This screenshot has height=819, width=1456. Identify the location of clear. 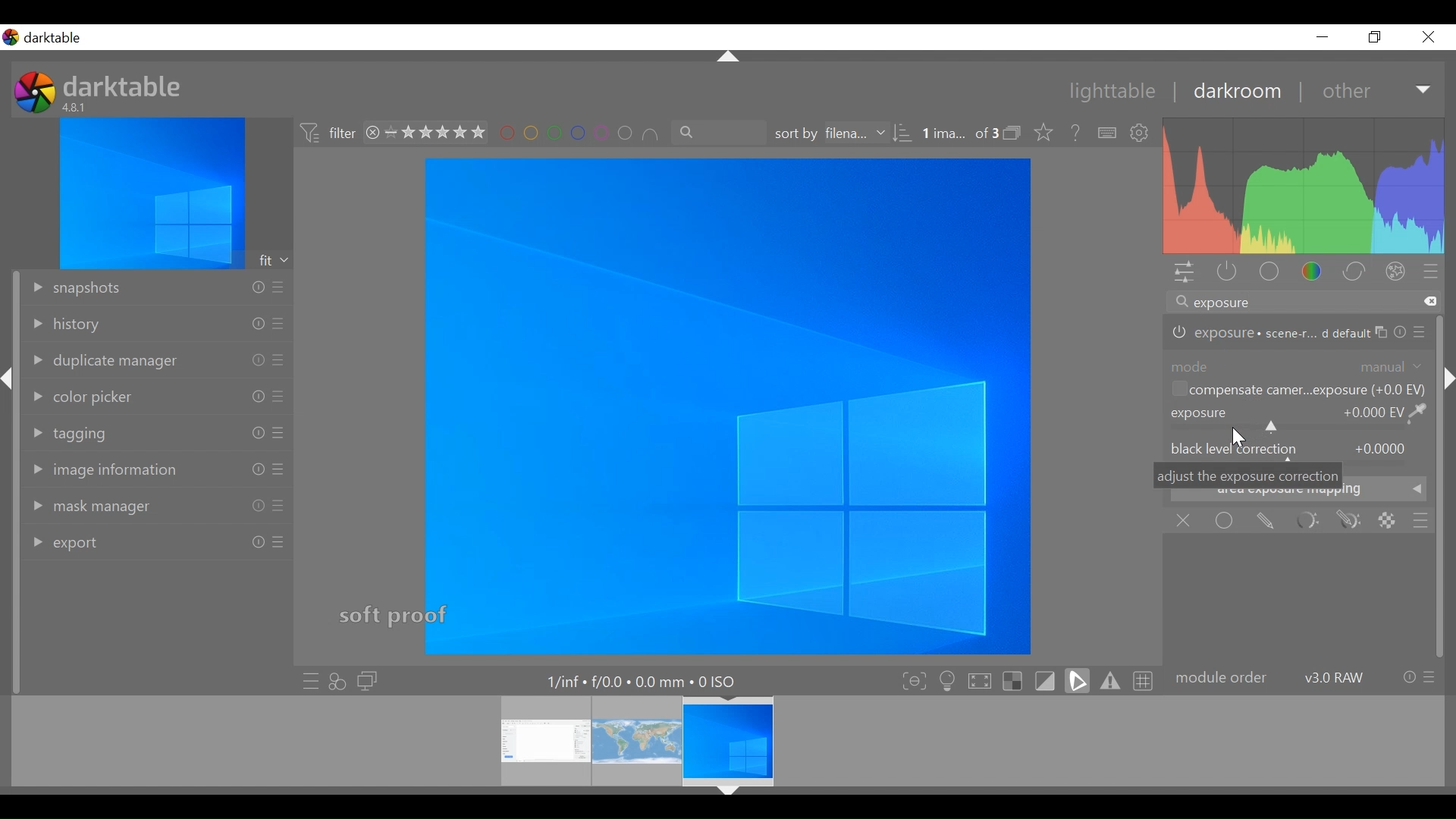
(1432, 301).